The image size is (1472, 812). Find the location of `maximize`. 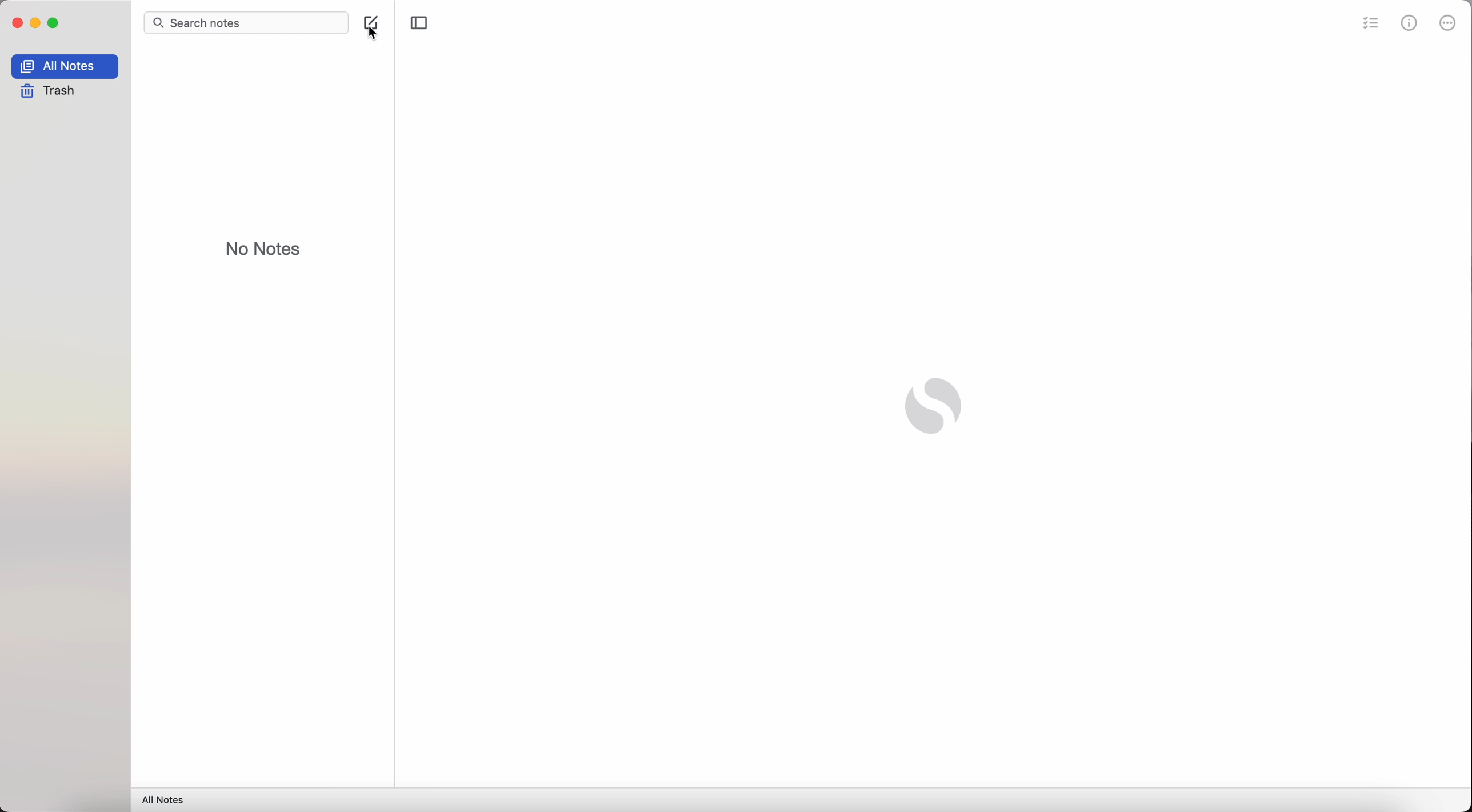

maximize is located at coordinates (54, 25).